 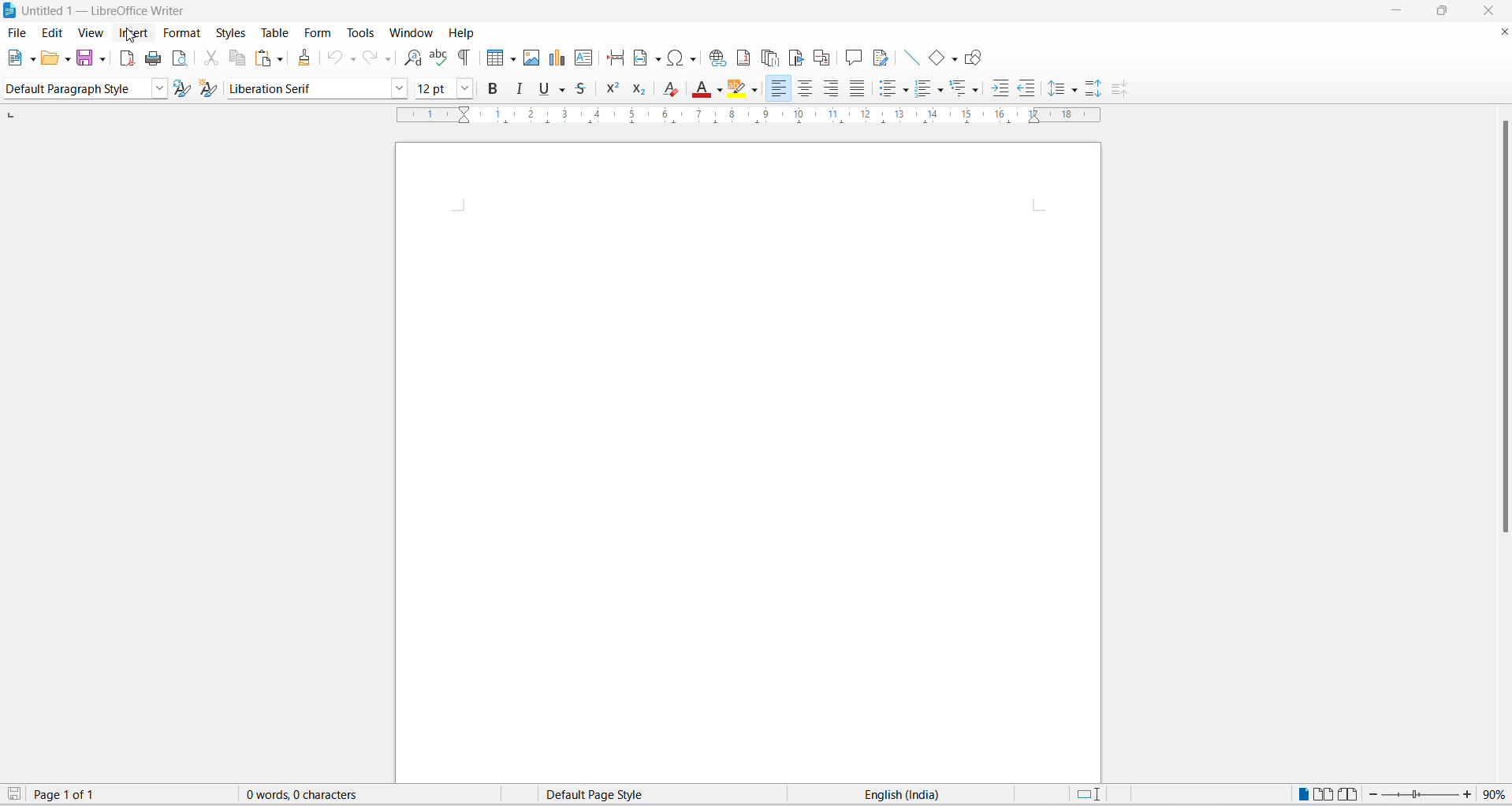 I want to click on strike through, so click(x=587, y=88).